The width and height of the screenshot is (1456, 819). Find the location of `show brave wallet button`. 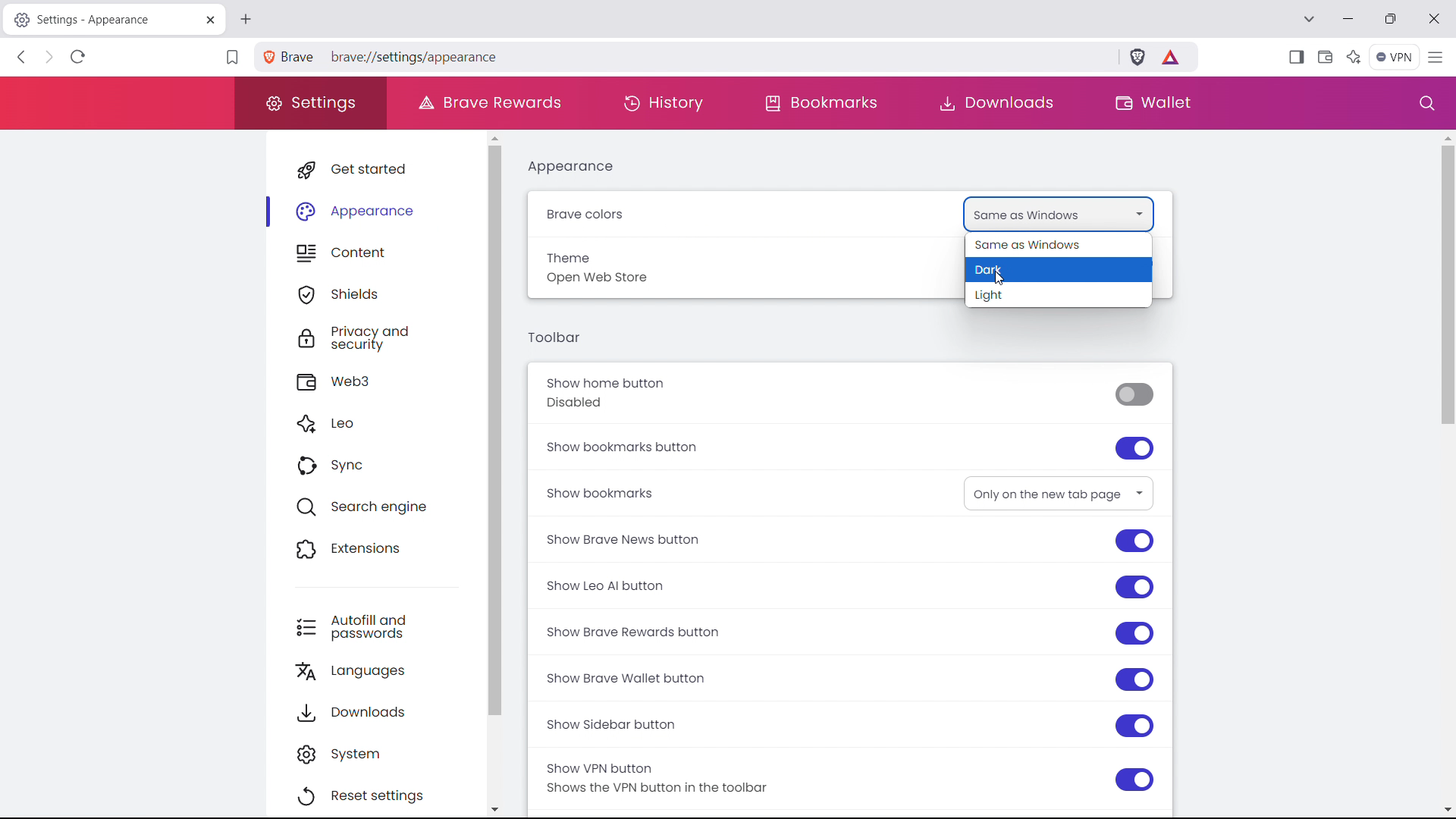

show brave wallet button is located at coordinates (849, 677).